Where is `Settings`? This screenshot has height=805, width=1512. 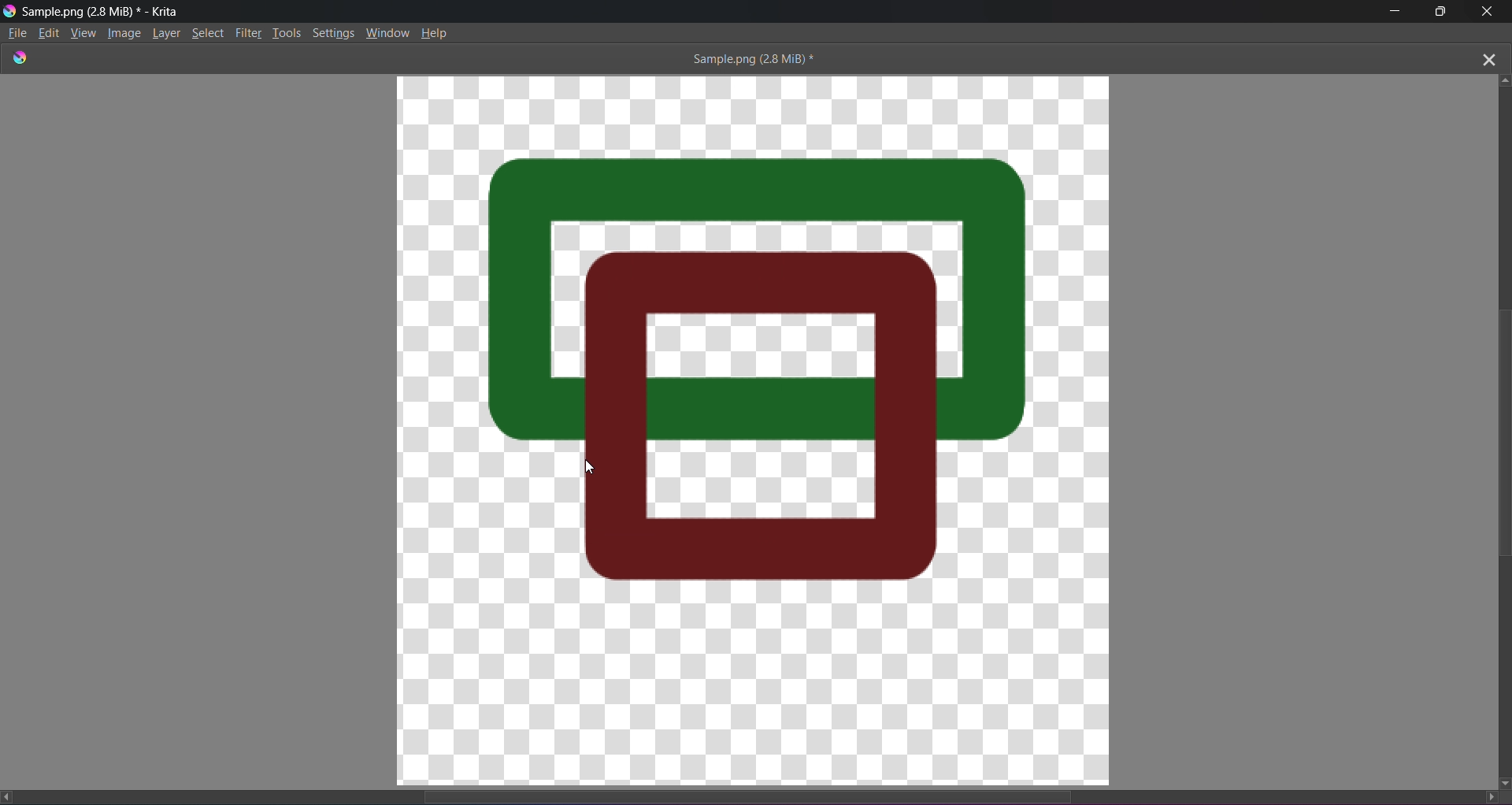 Settings is located at coordinates (334, 32).